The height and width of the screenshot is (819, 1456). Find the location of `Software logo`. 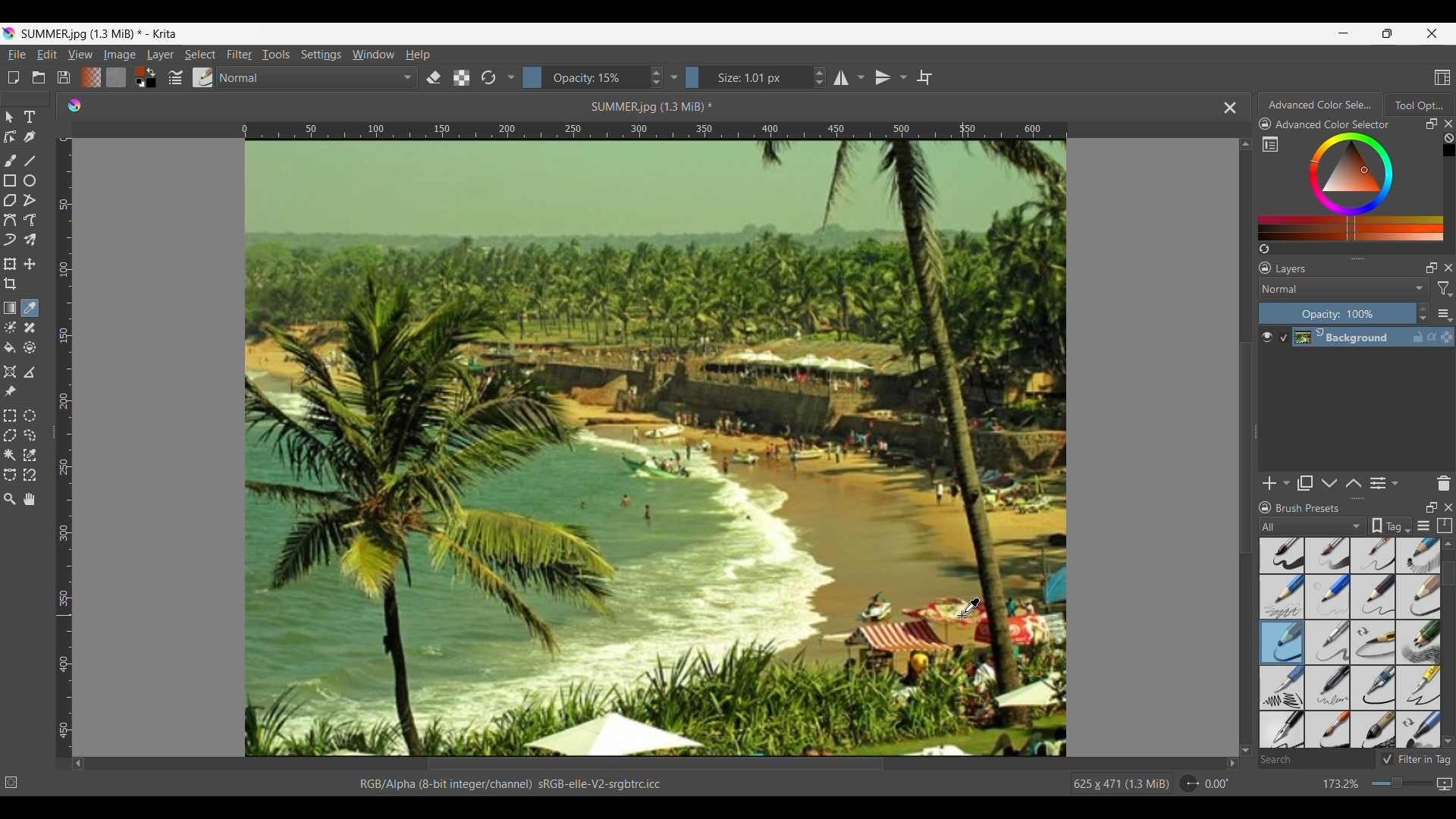

Software logo is located at coordinates (74, 105).